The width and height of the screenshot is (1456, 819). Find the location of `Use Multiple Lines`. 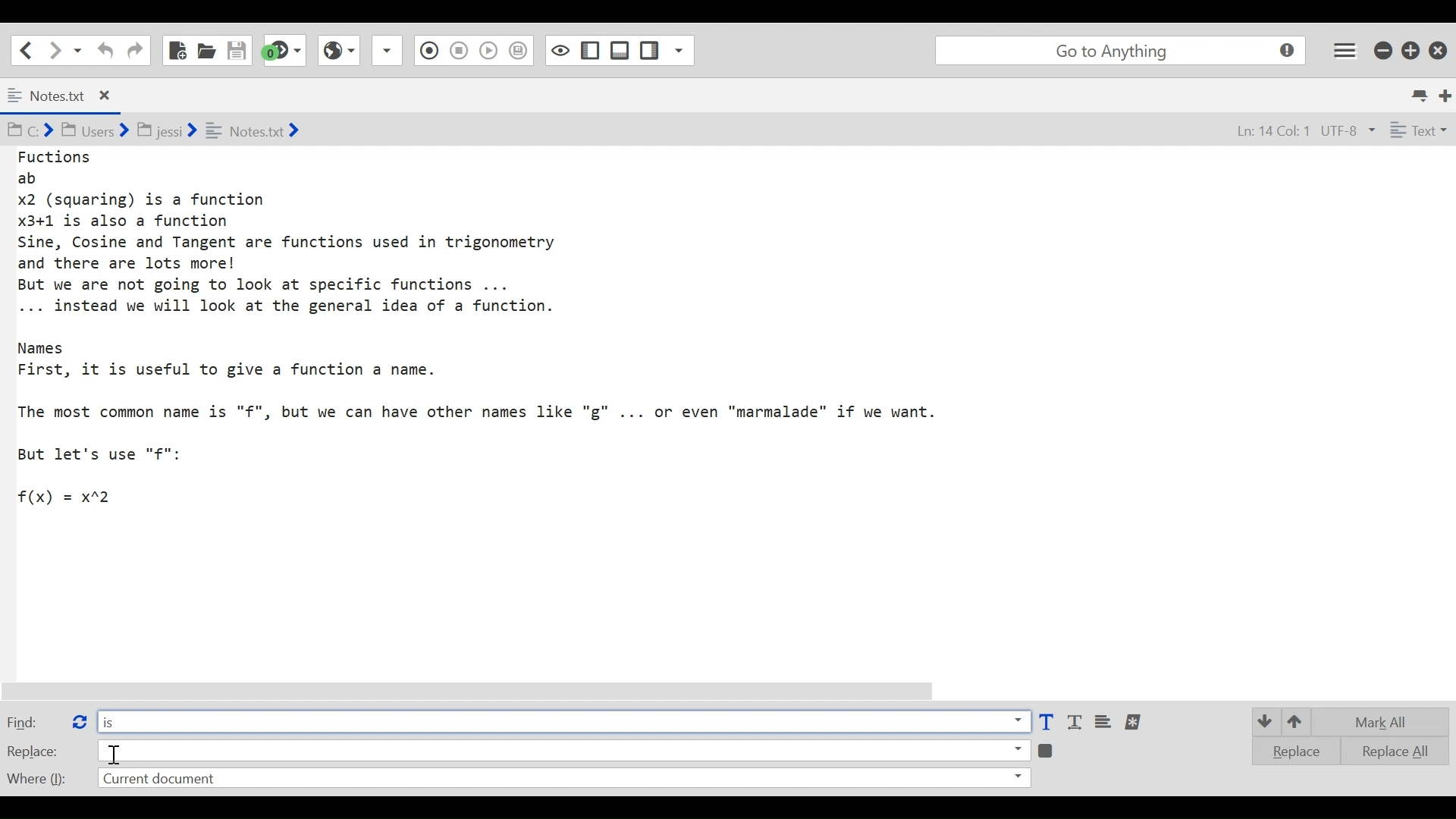

Use Multiple Lines is located at coordinates (1105, 723).